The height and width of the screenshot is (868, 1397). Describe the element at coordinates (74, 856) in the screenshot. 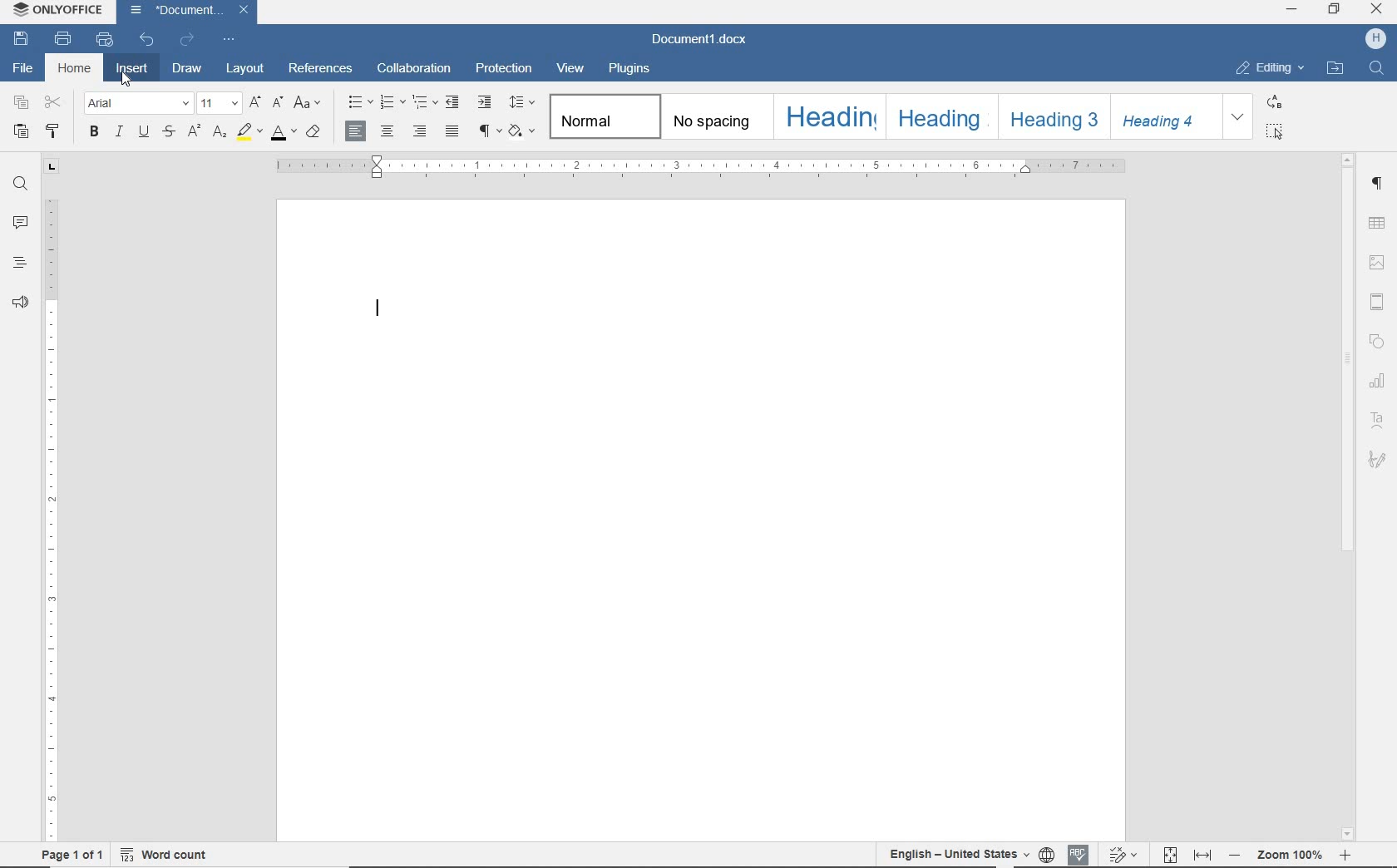

I see `page 1of 1` at that location.